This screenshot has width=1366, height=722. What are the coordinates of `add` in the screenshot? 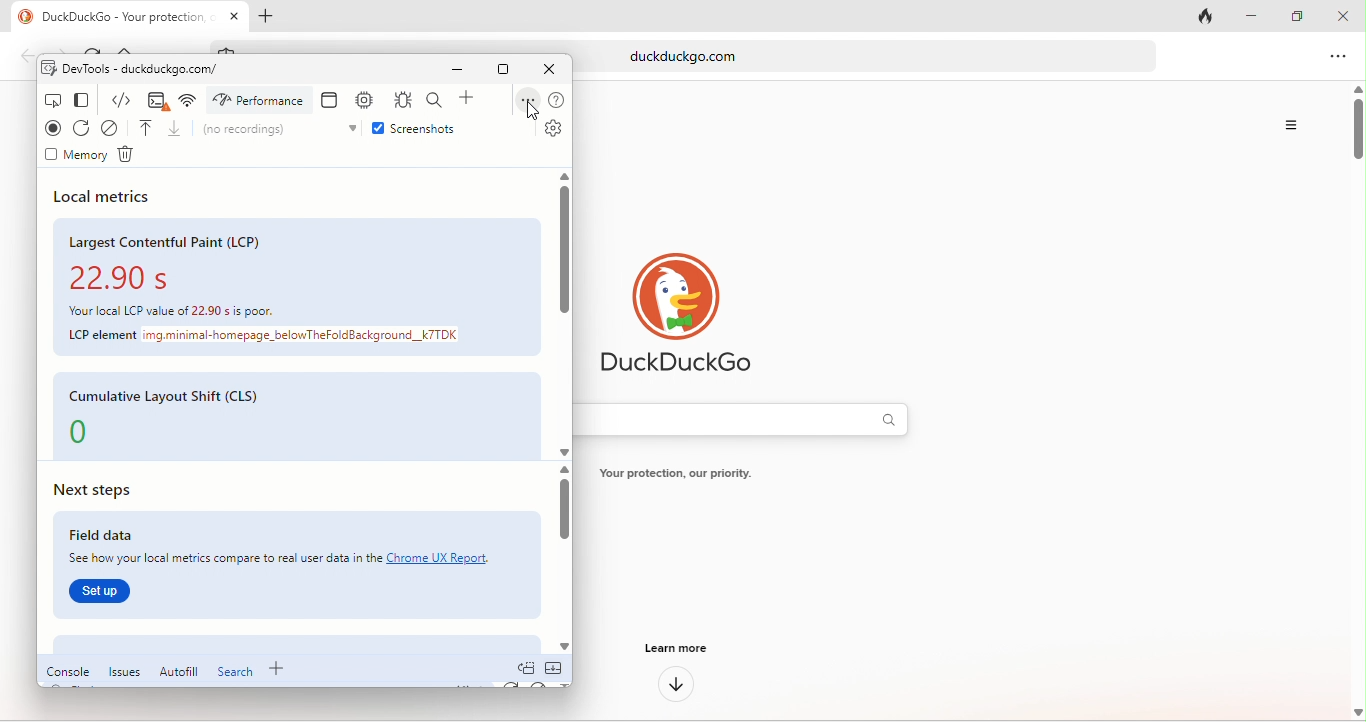 It's located at (474, 100).